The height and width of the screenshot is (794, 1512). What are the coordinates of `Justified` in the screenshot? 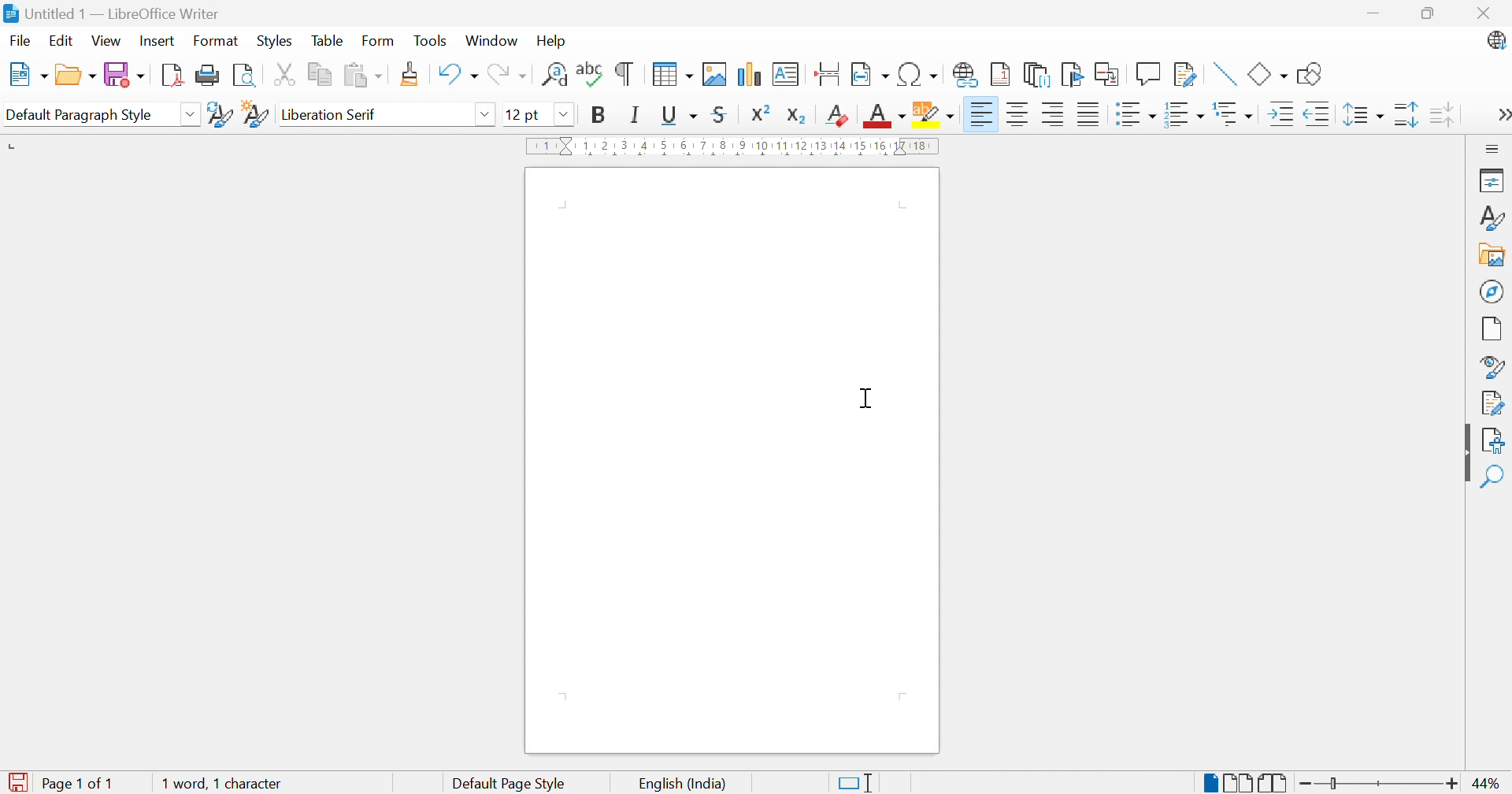 It's located at (1089, 113).